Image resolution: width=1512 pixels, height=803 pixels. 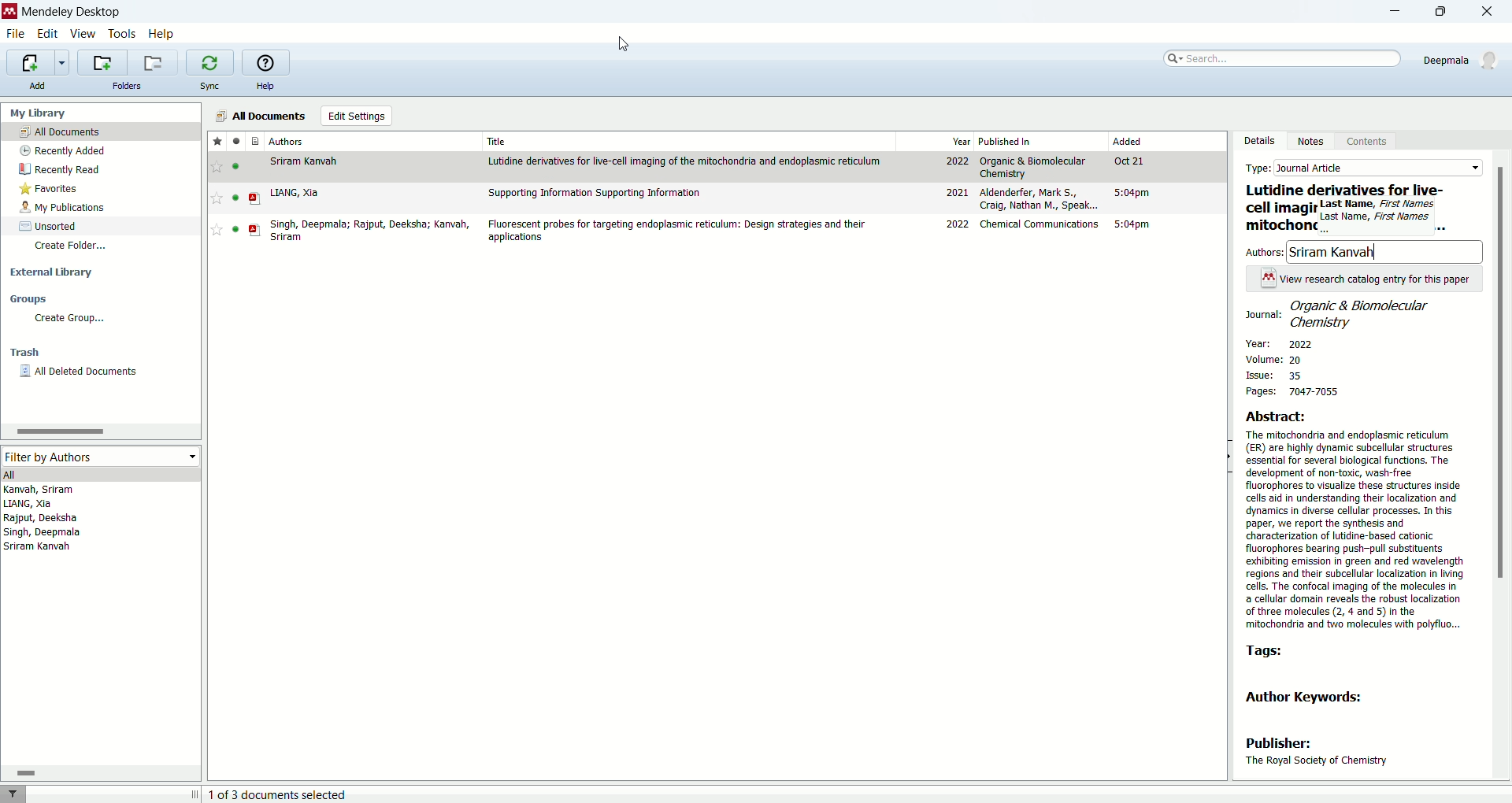 What do you see at coordinates (69, 320) in the screenshot?
I see `create group` at bounding box center [69, 320].